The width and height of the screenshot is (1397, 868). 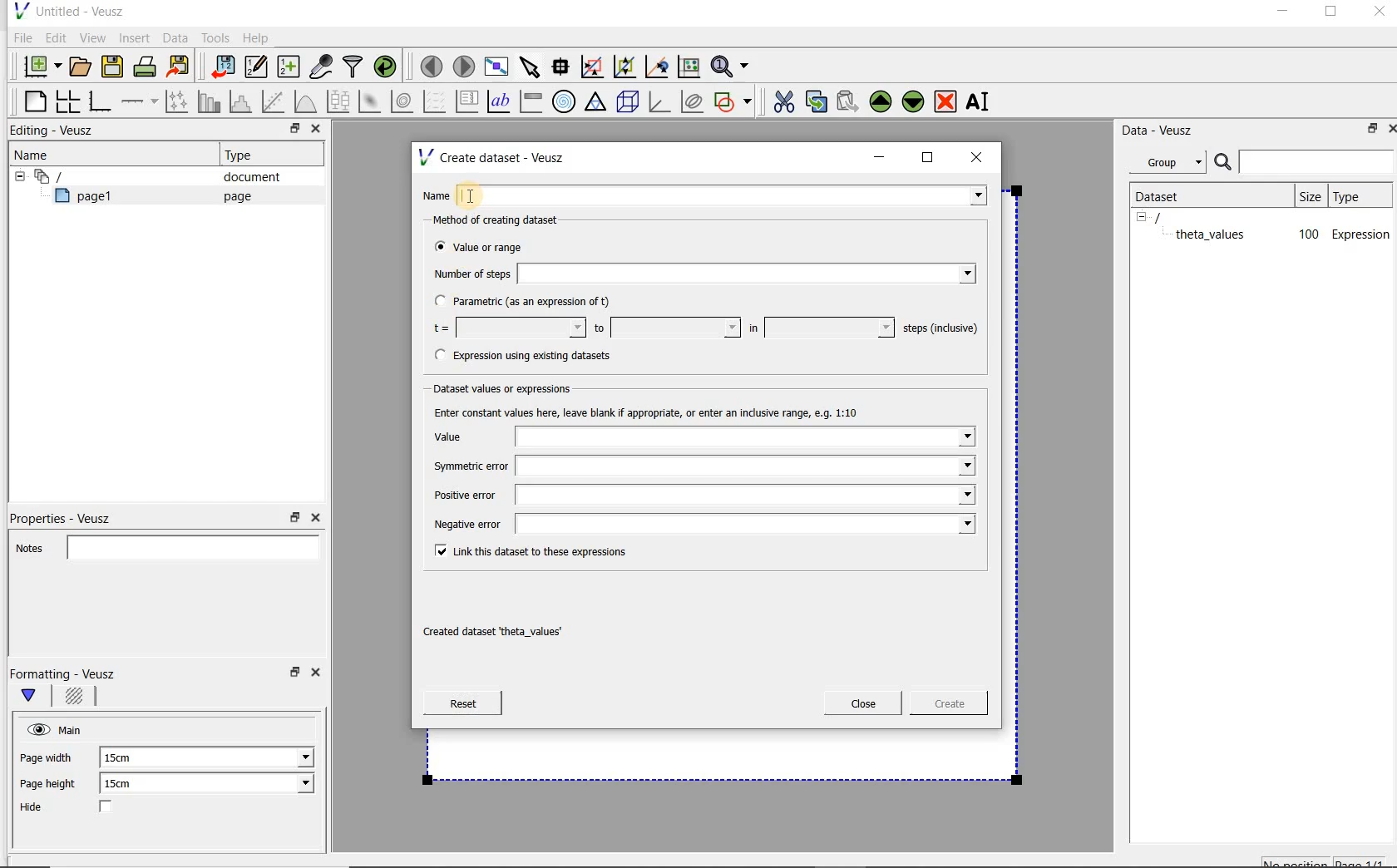 I want to click on Create dataset - Veusz, so click(x=494, y=157).